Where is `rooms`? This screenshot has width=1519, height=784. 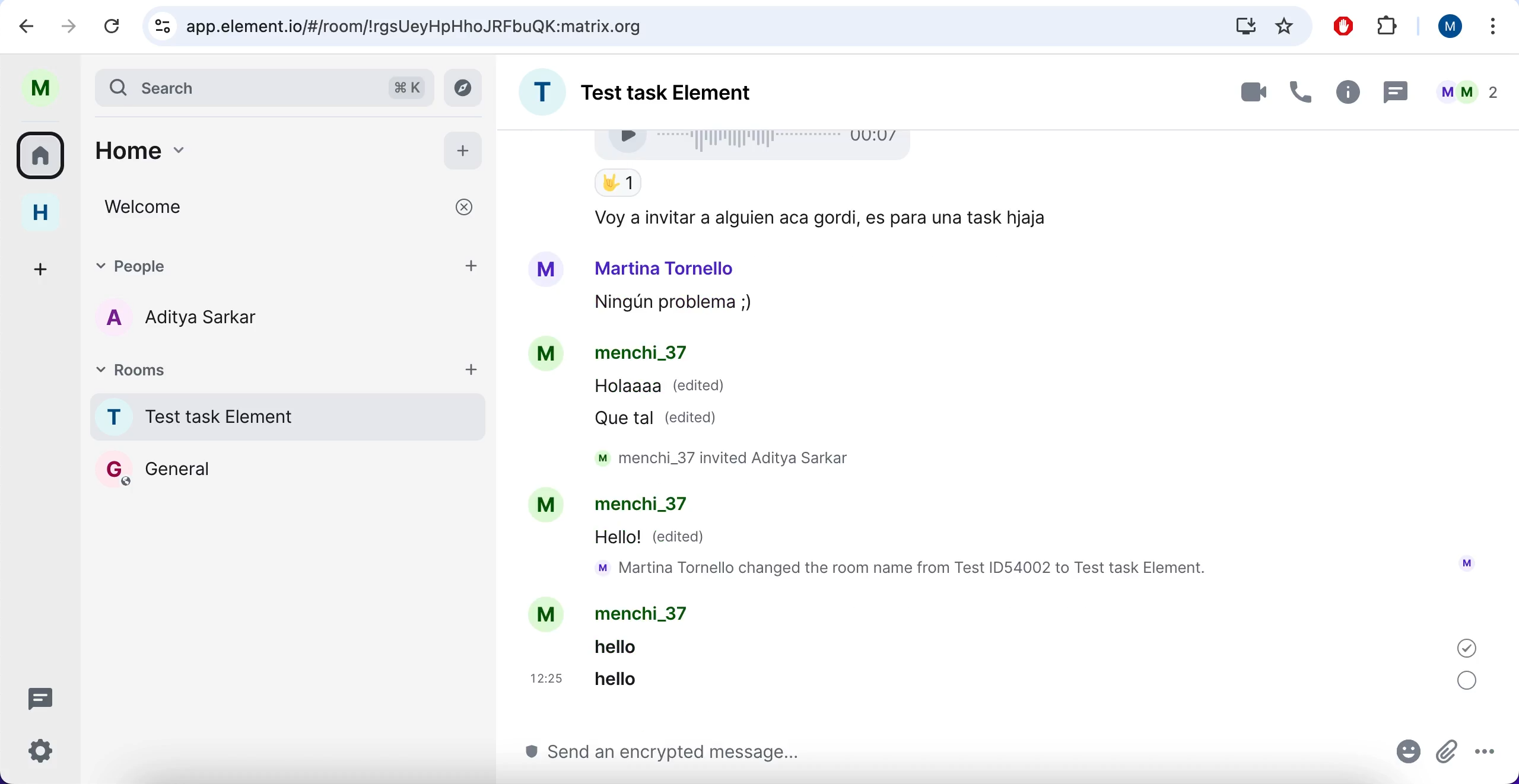 rooms is located at coordinates (45, 154).